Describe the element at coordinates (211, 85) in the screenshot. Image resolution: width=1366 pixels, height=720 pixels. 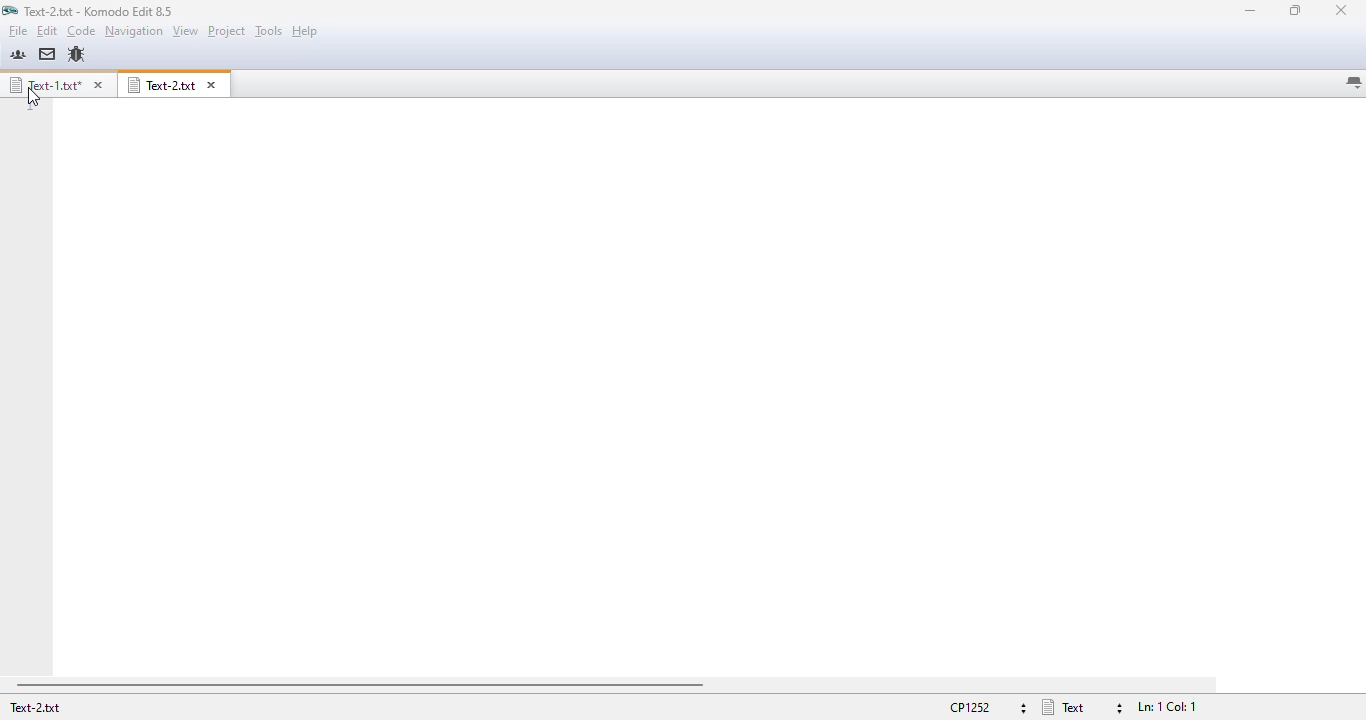
I see `close tab` at that location.